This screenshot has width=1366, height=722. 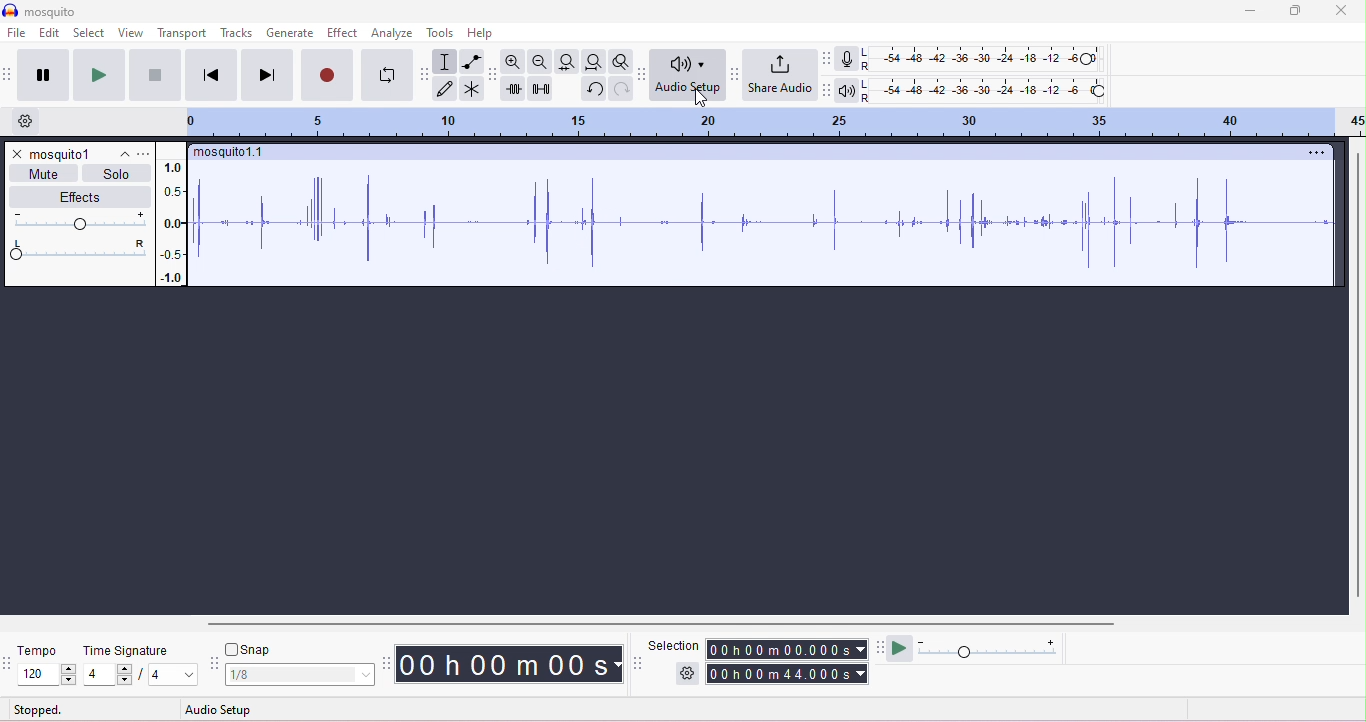 I want to click on loop, so click(x=386, y=75).